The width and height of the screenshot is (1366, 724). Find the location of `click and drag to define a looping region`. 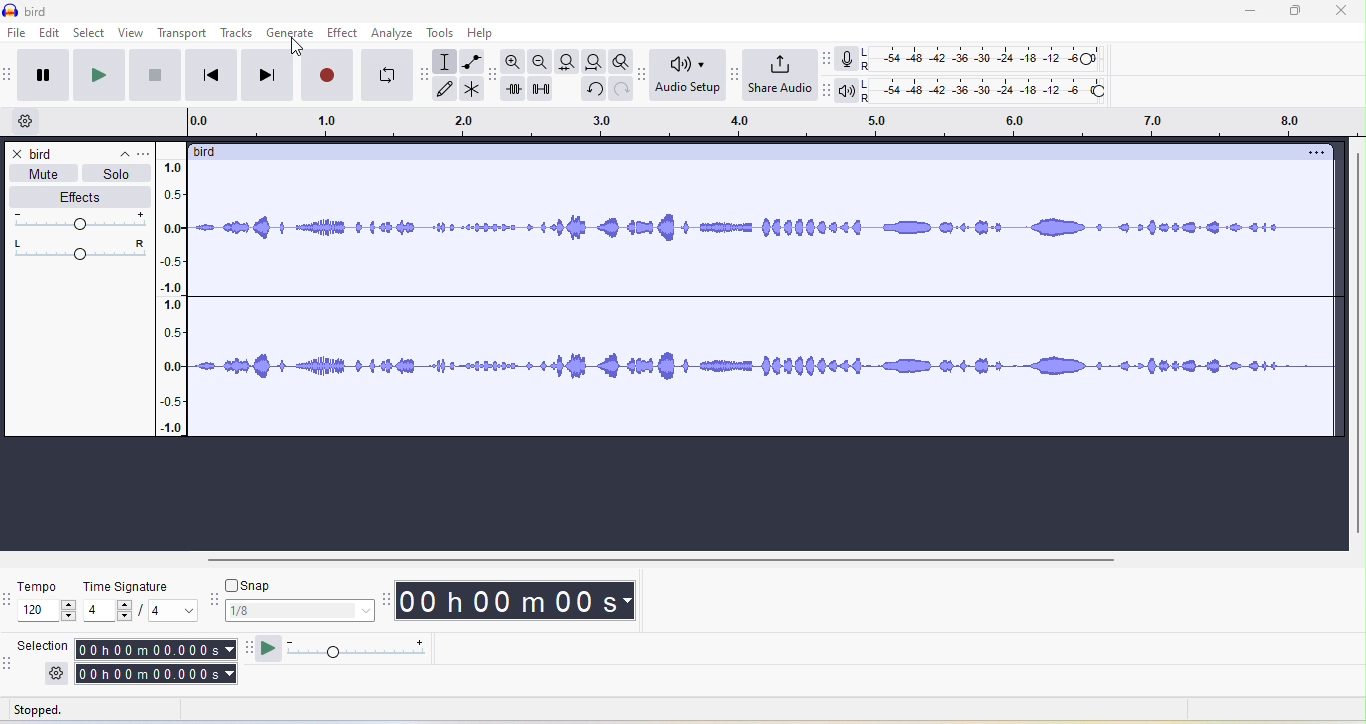

click and drag to define a looping region is located at coordinates (768, 124).